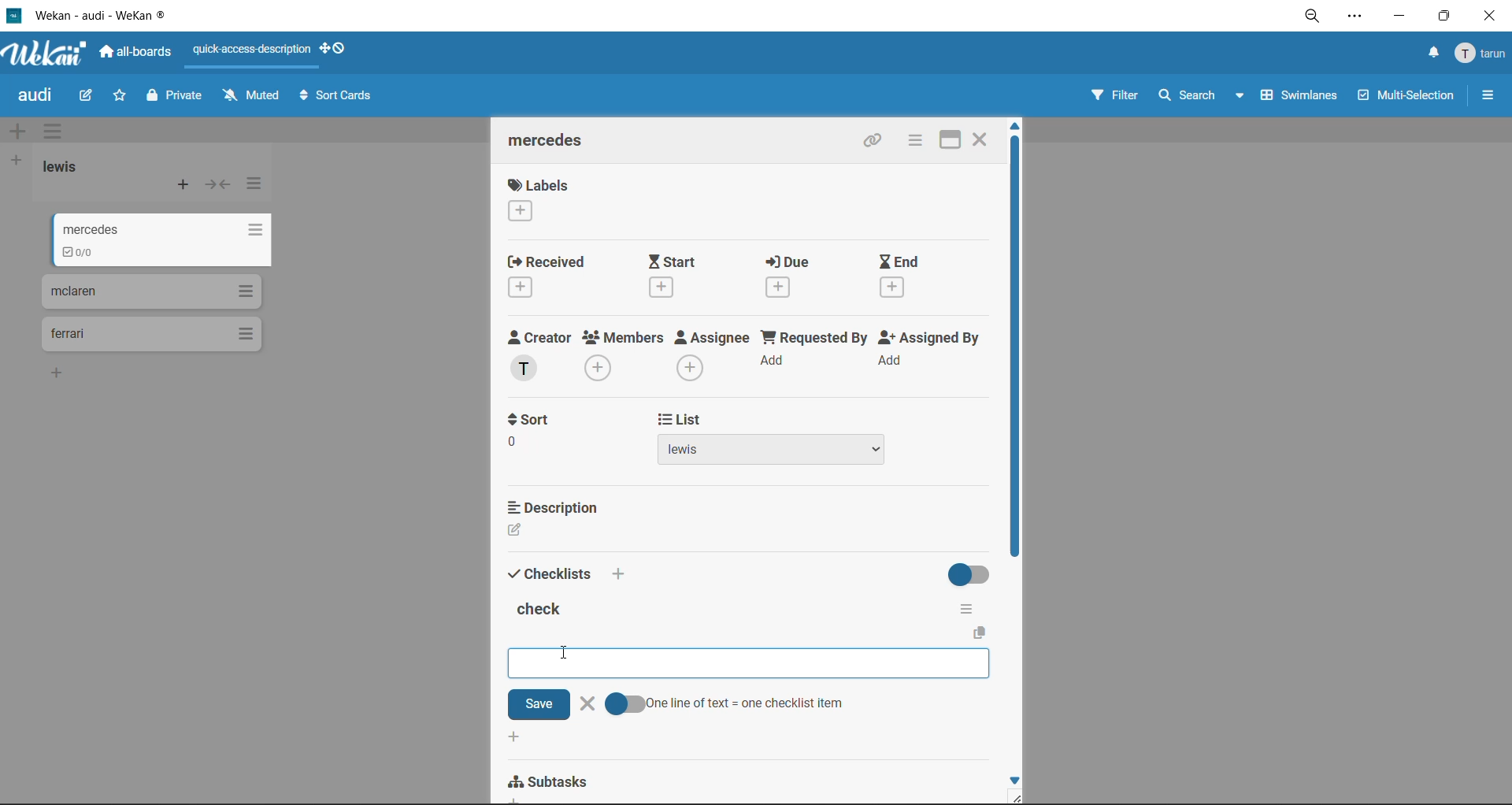 The image size is (1512, 805). What do you see at coordinates (982, 633) in the screenshot?
I see `copy` at bounding box center [982, 633].